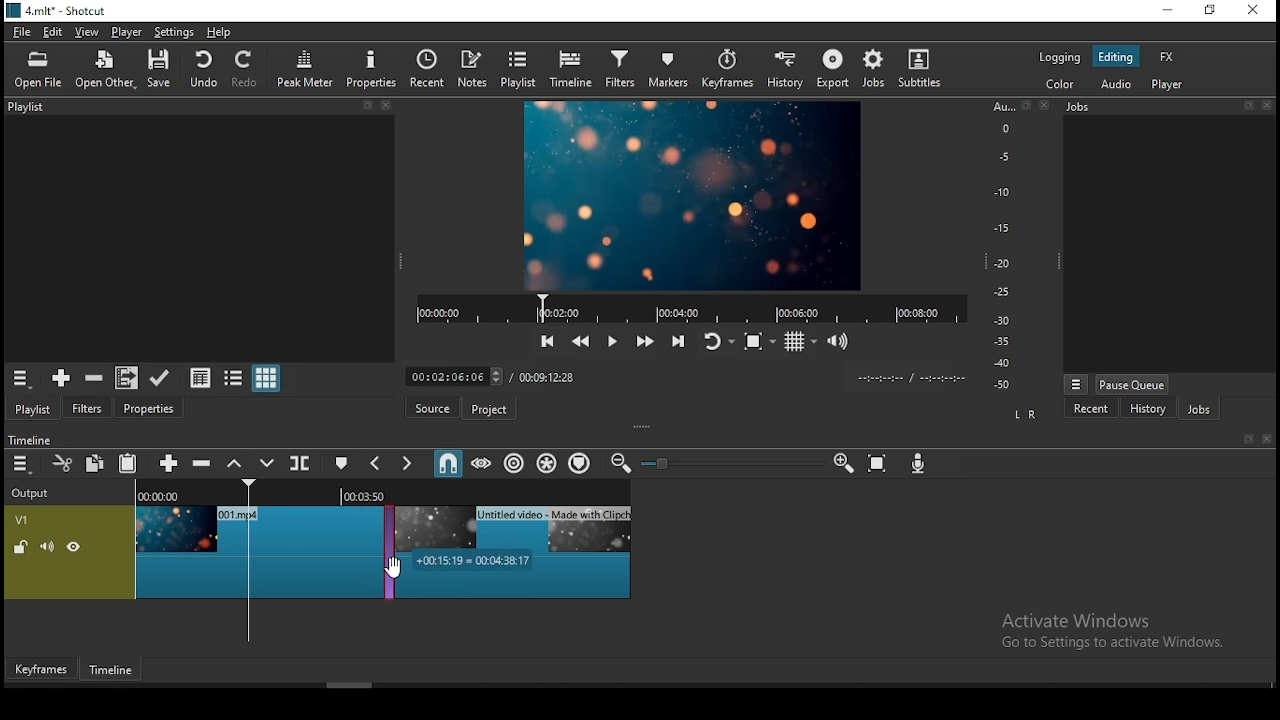 Image resolution: width=1280 pixels, height=720 pixels. Describe the element at coordinates (425, 70) in the screenshot. I see `recent` at that location.